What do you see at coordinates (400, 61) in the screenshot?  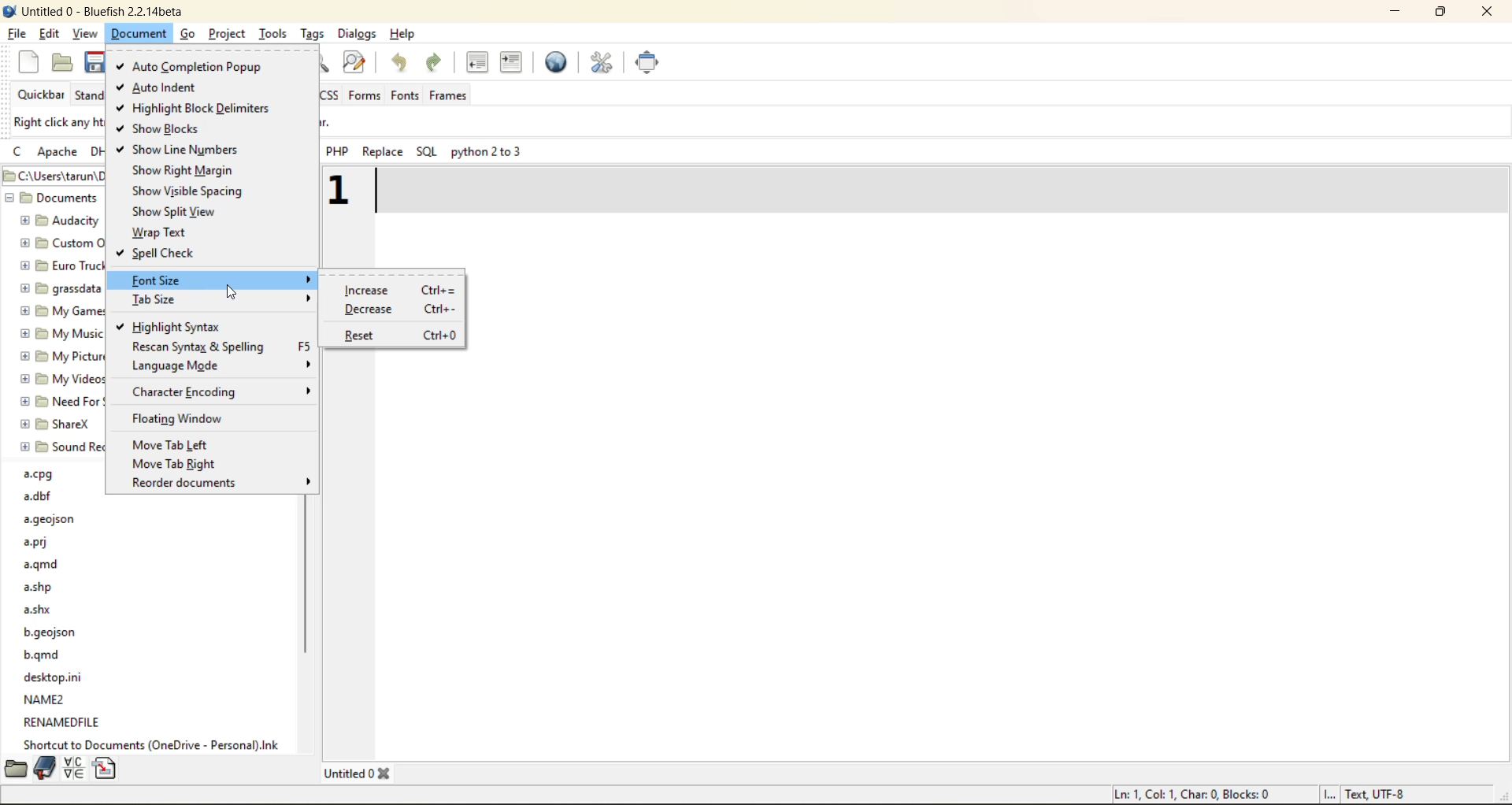 I see `undo` at bounding box center [400, 61].